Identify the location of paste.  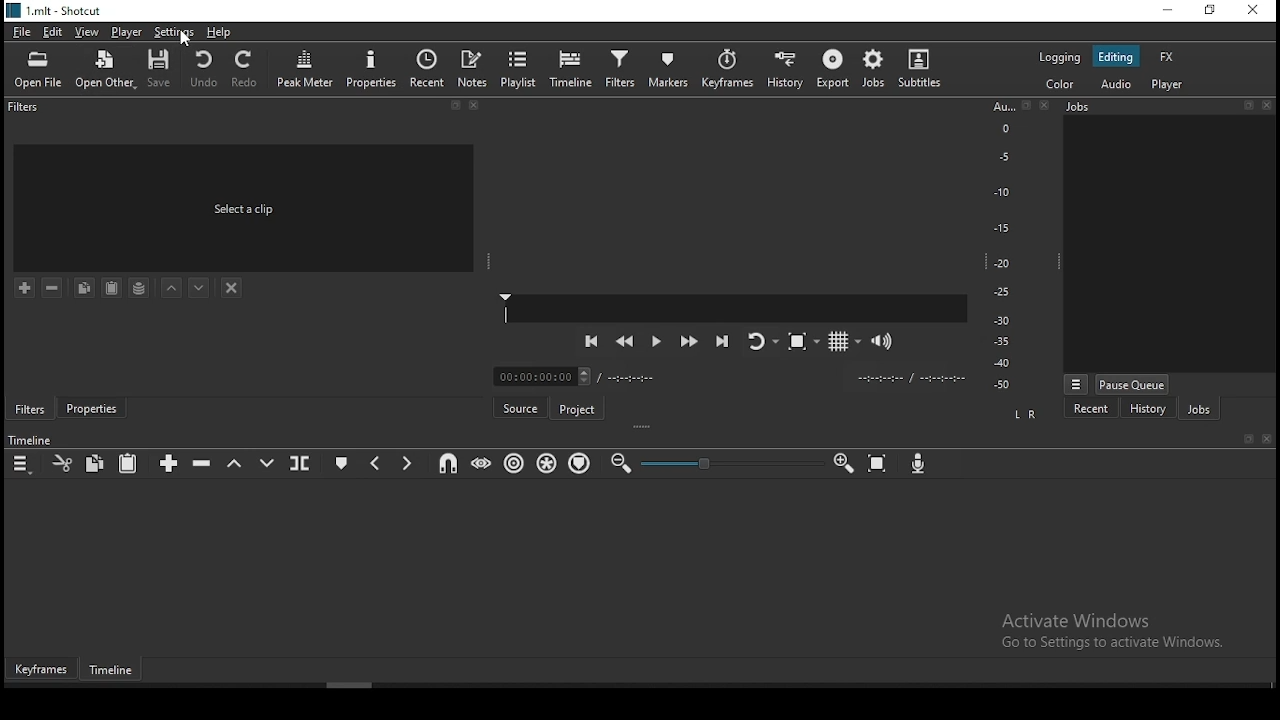
(129, 463).